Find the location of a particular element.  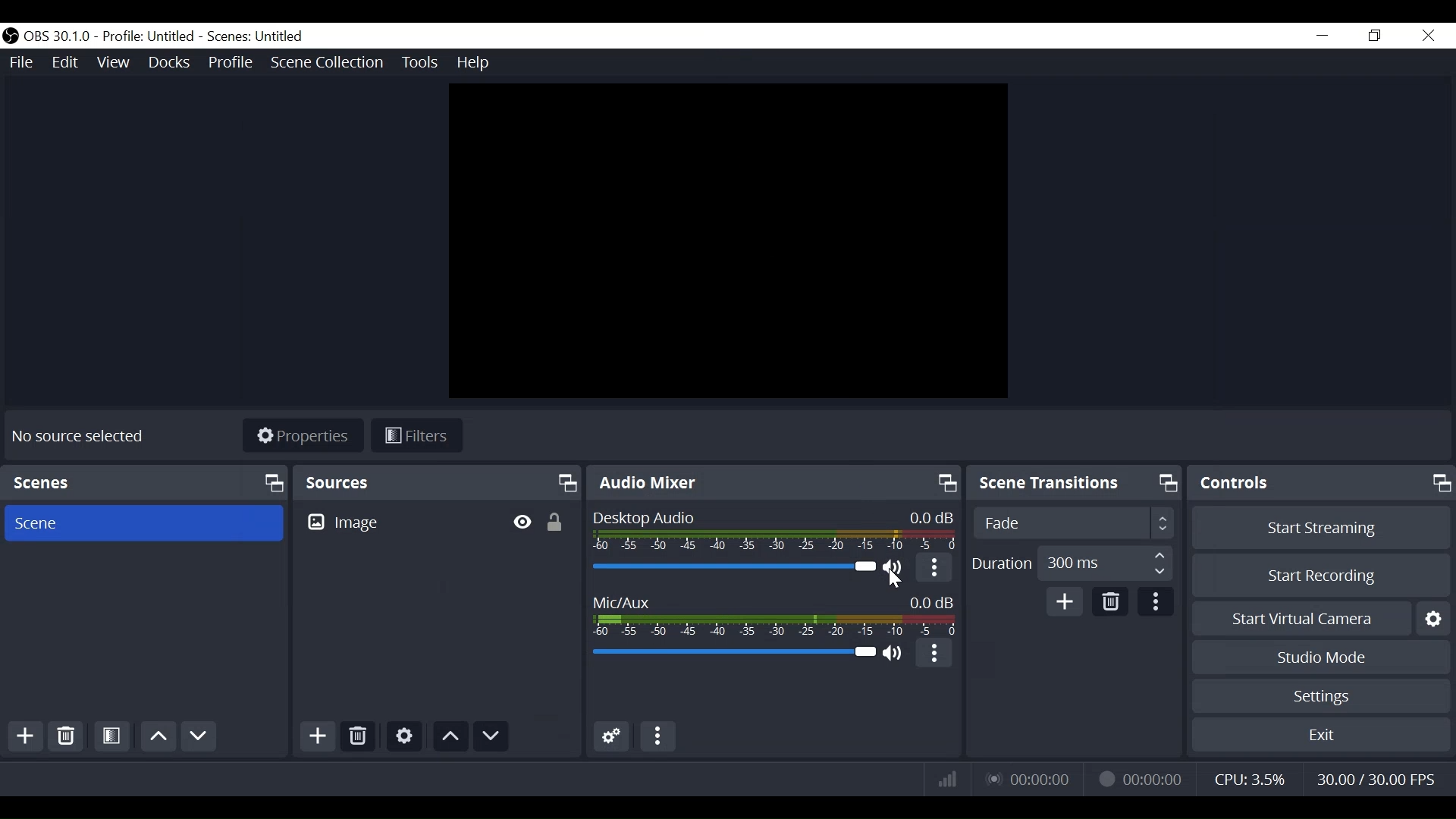

Audio Mixer is located at coordinates (776, 482).